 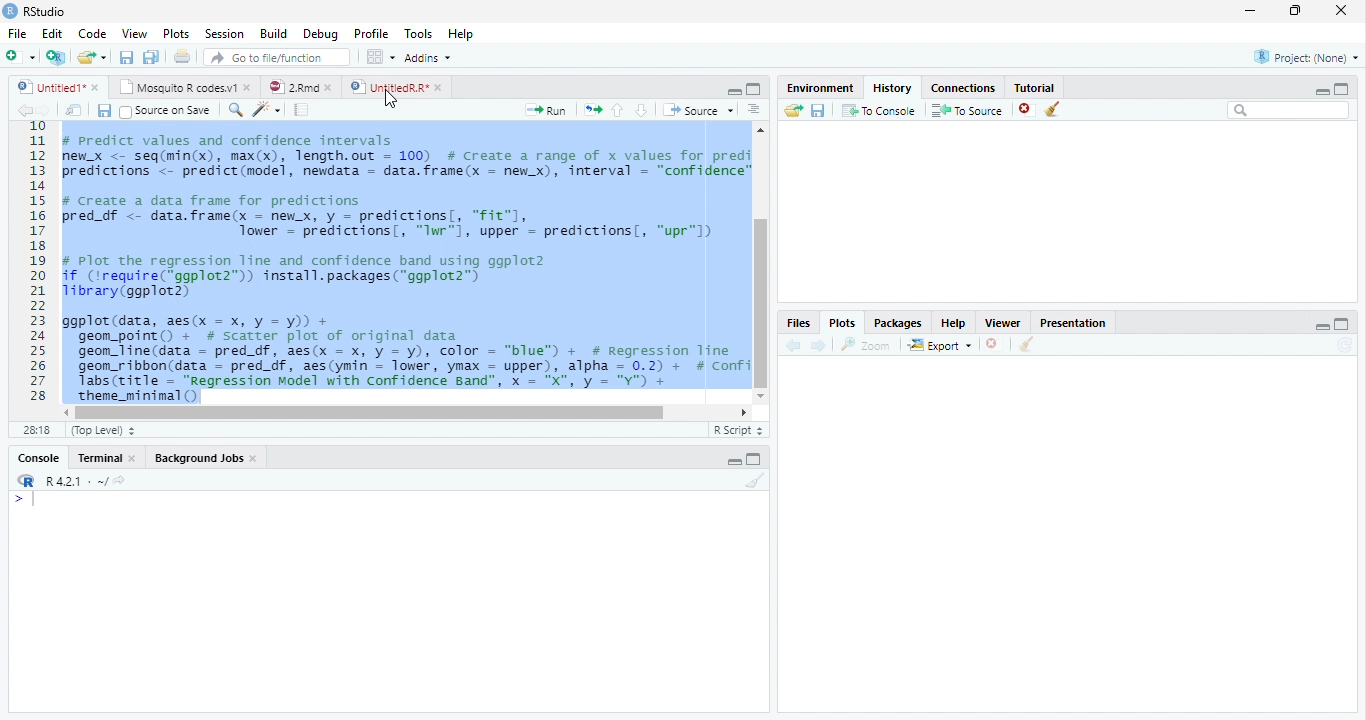 I want to click on Untitled, so click(x=59, y=86).